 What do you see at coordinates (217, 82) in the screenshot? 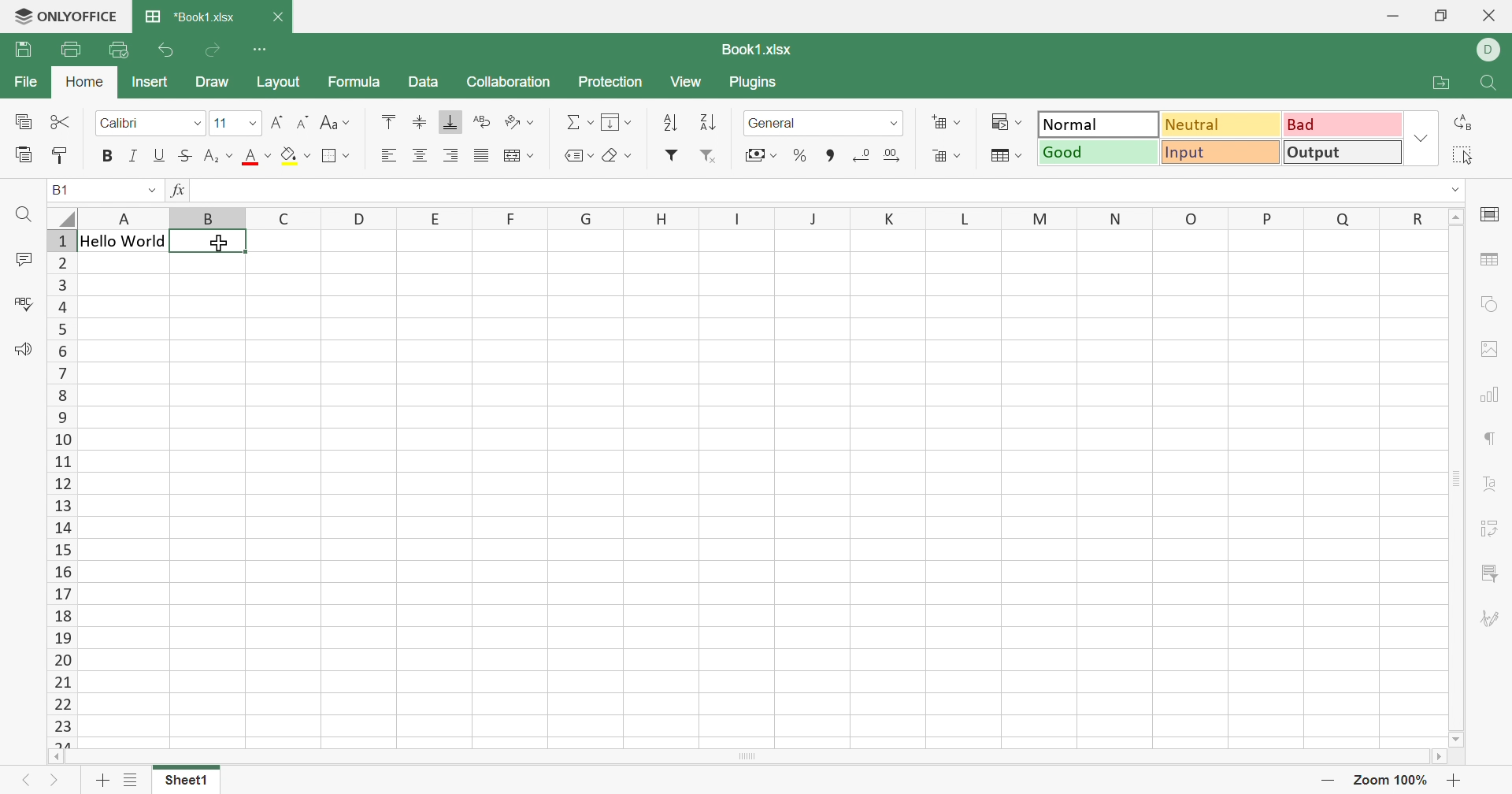
I see `Draw` at bounding box center [217, 82].